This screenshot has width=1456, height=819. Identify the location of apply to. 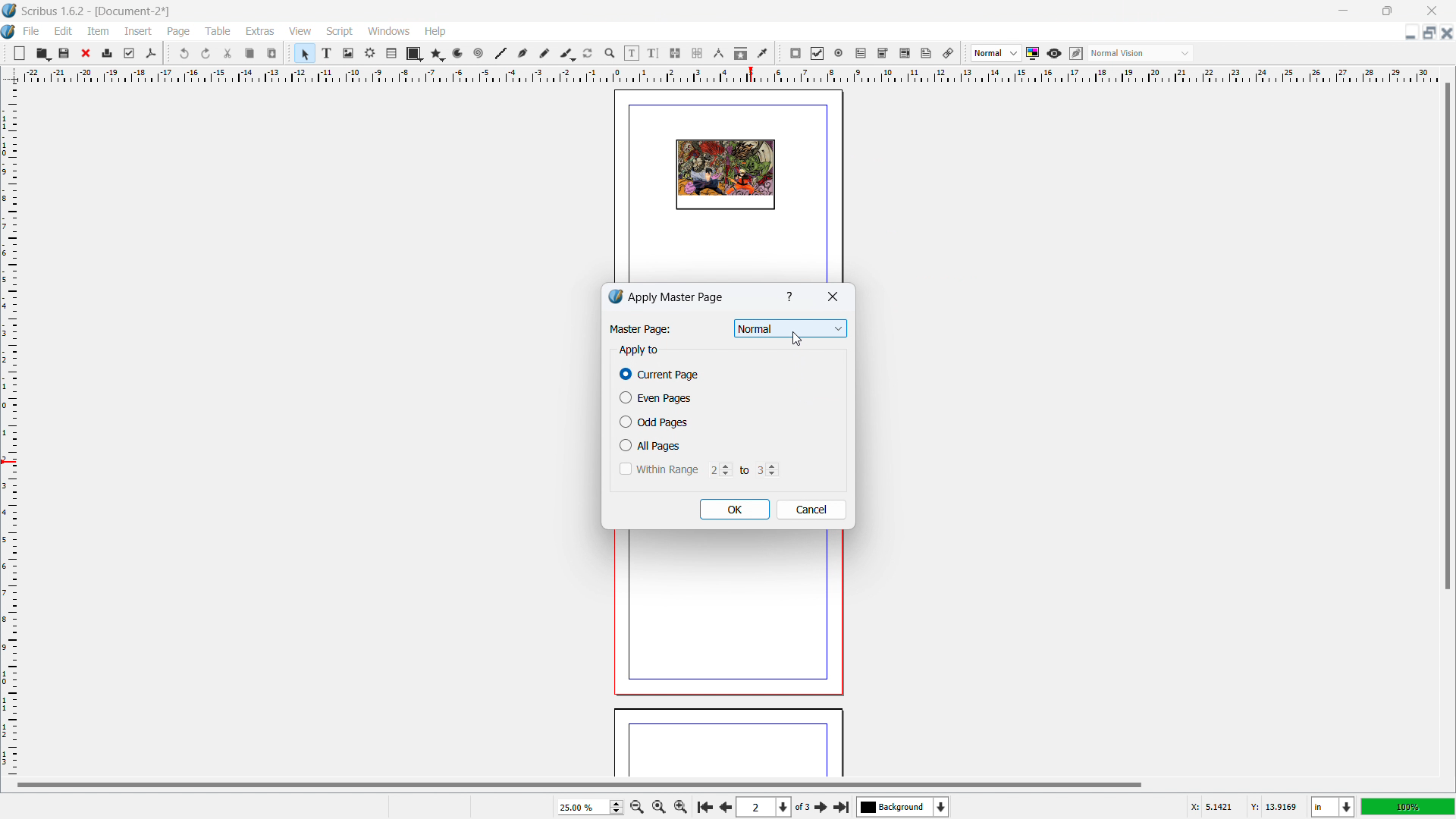
(639, 350).